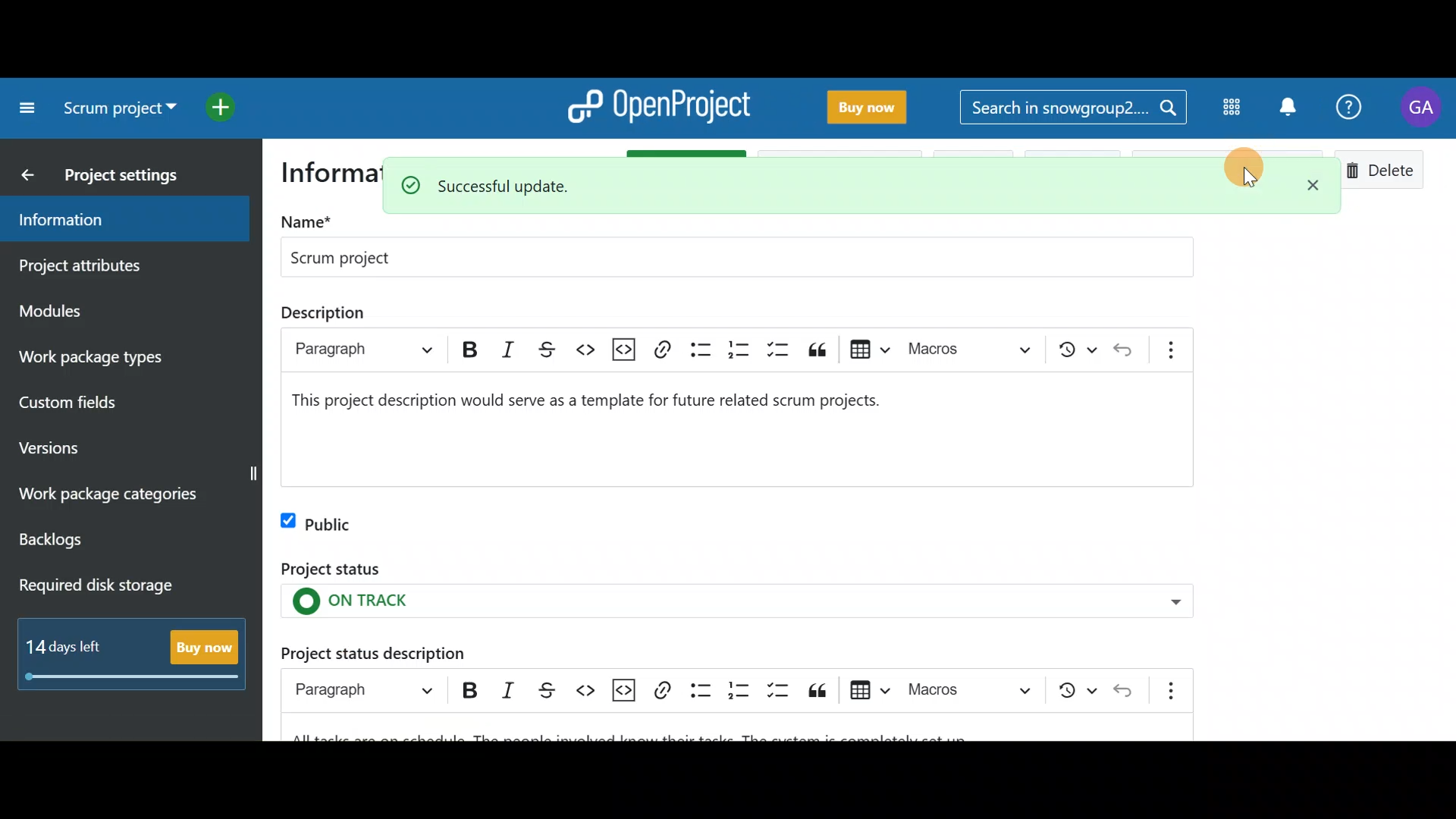 The height and width of the screenshot is (819, 1456). What do you see at coordinates (80, 444) in the screenshot?
I see `Versions` at bounding box center [80, 444].